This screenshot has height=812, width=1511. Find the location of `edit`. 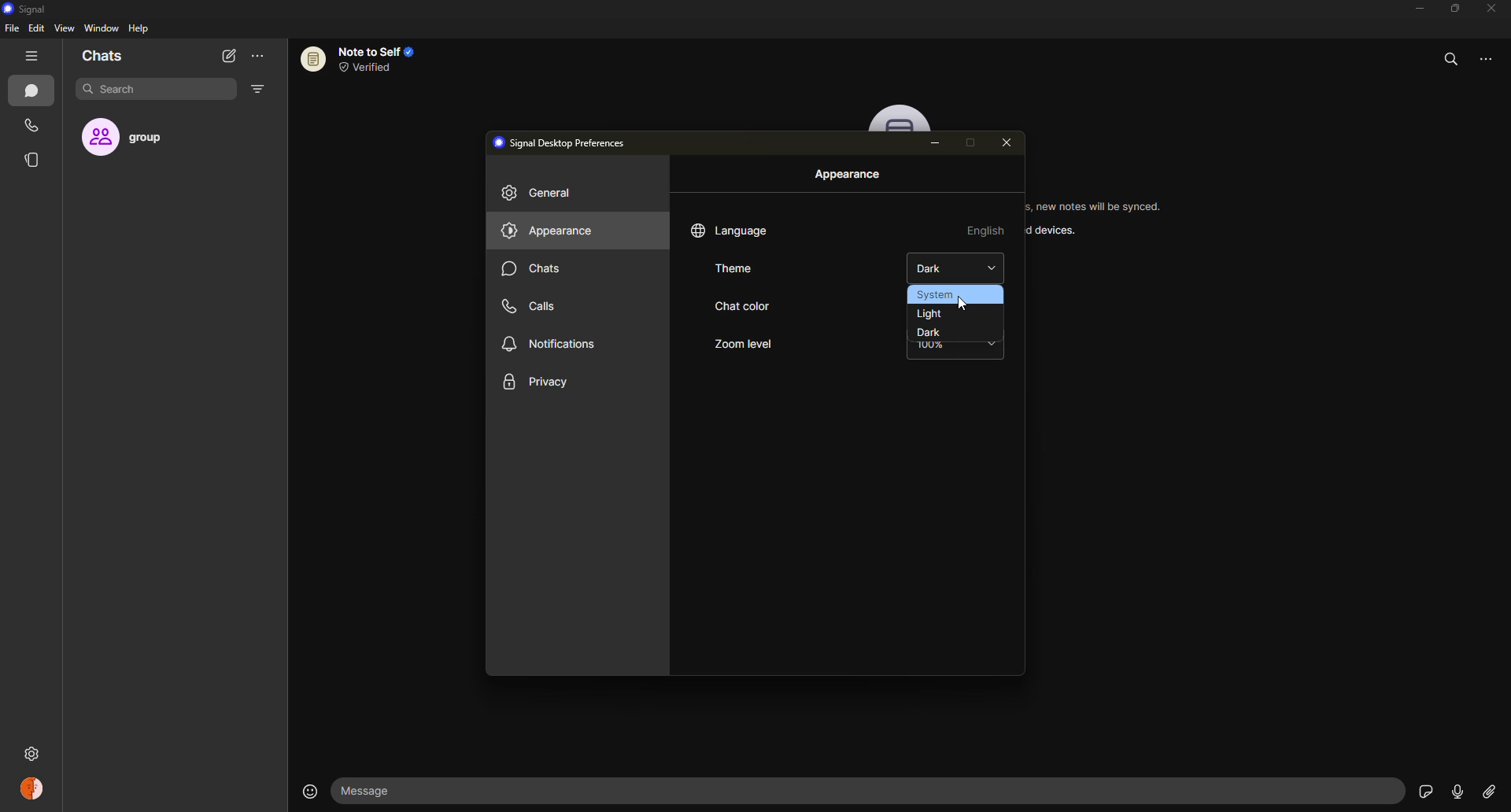

edit is located at coordinates (36, 28).